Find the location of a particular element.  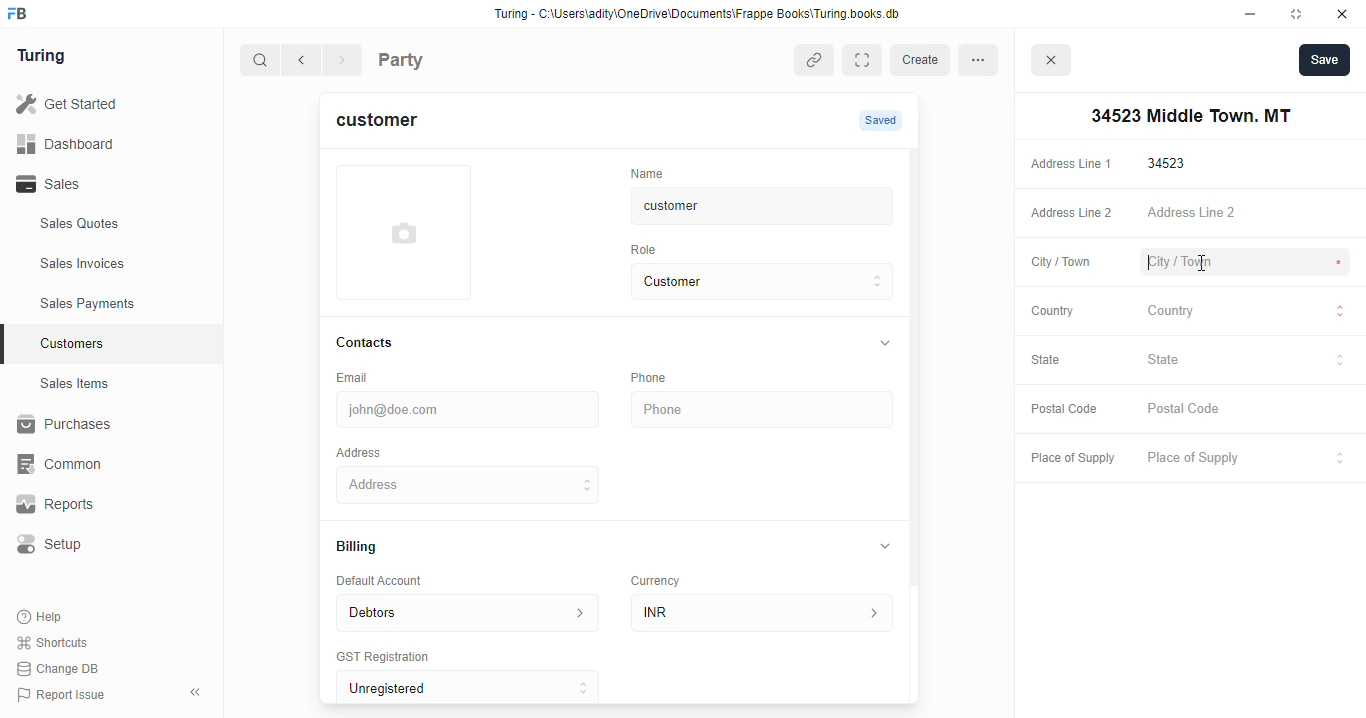

forward is located at coordinates (344, 62).